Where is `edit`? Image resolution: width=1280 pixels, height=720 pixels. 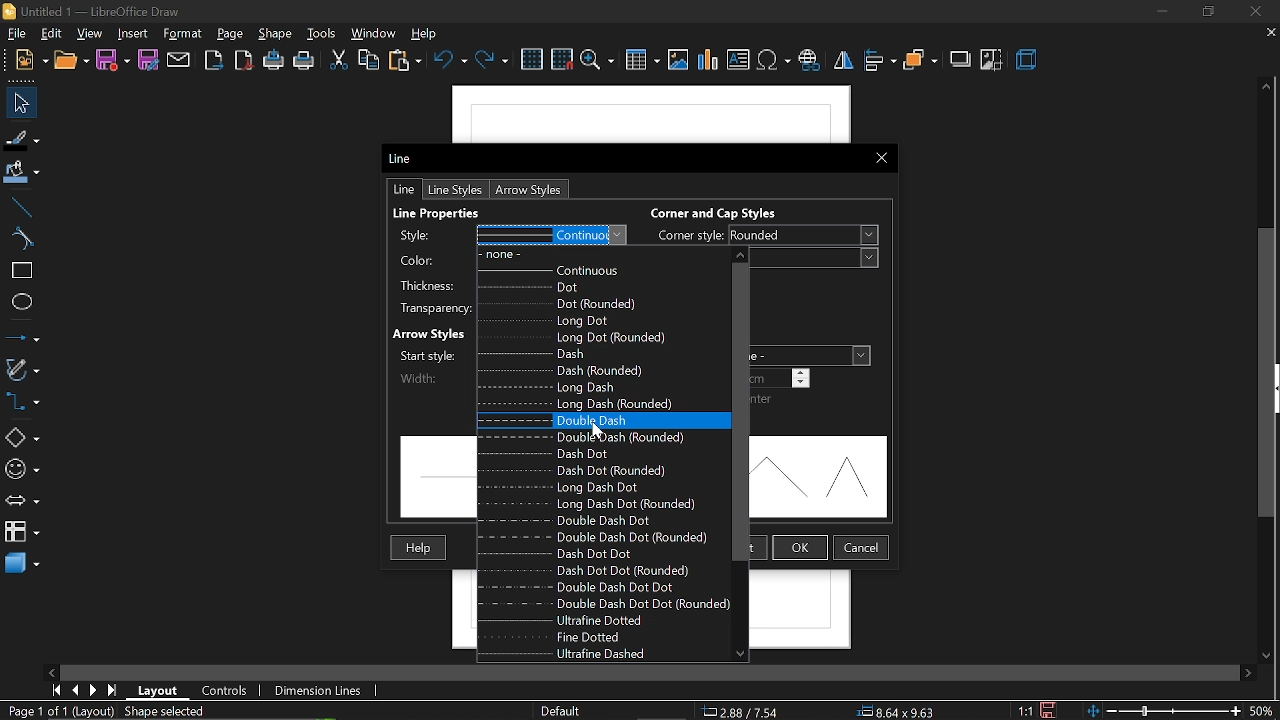
edit is located at coordinates (50, 34).